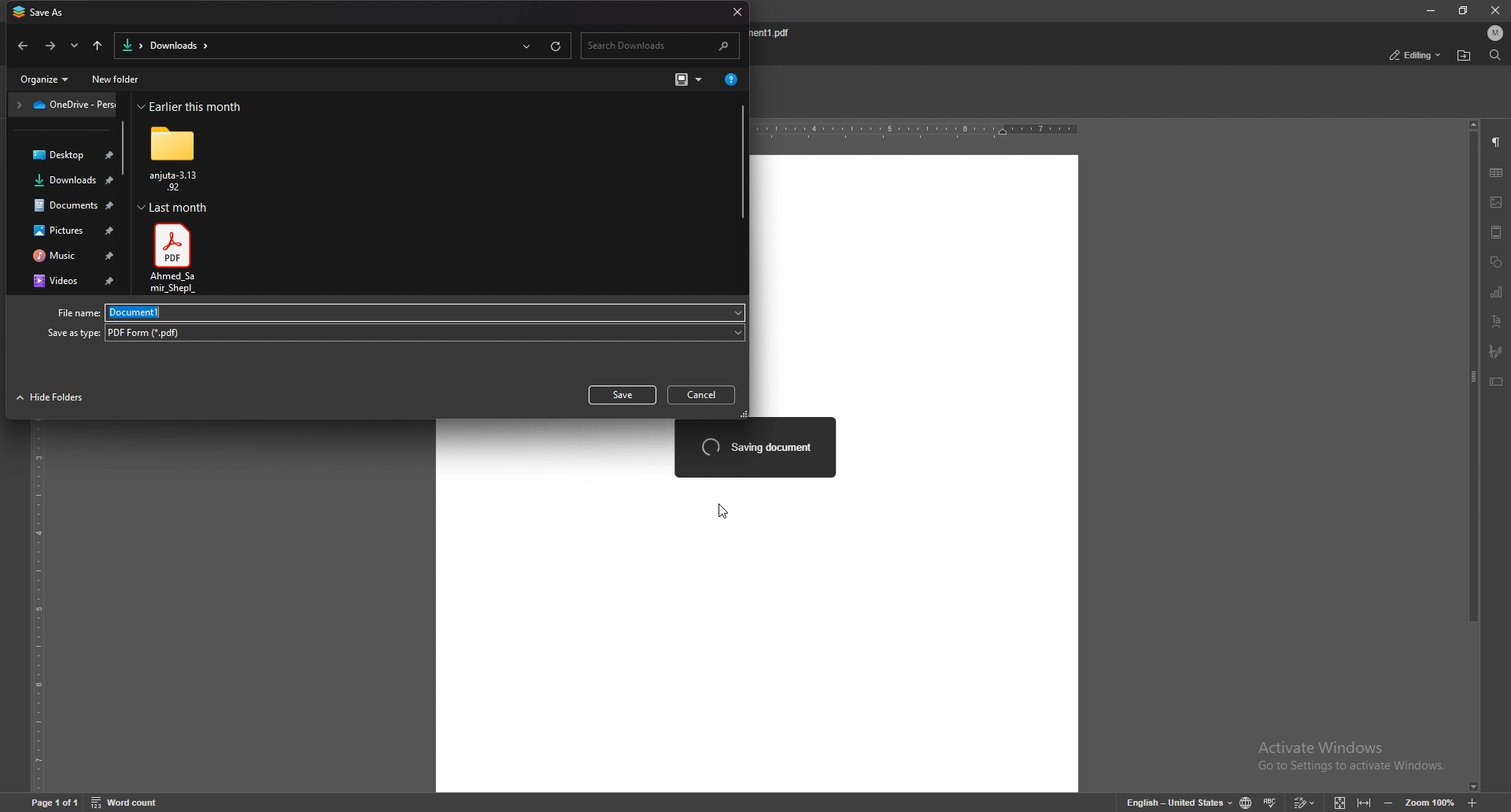 The height and width of the screenshot is (812, 1511). Describe the element at coordinates (1497, 382) in the screenshot. I see `text box` at that location.